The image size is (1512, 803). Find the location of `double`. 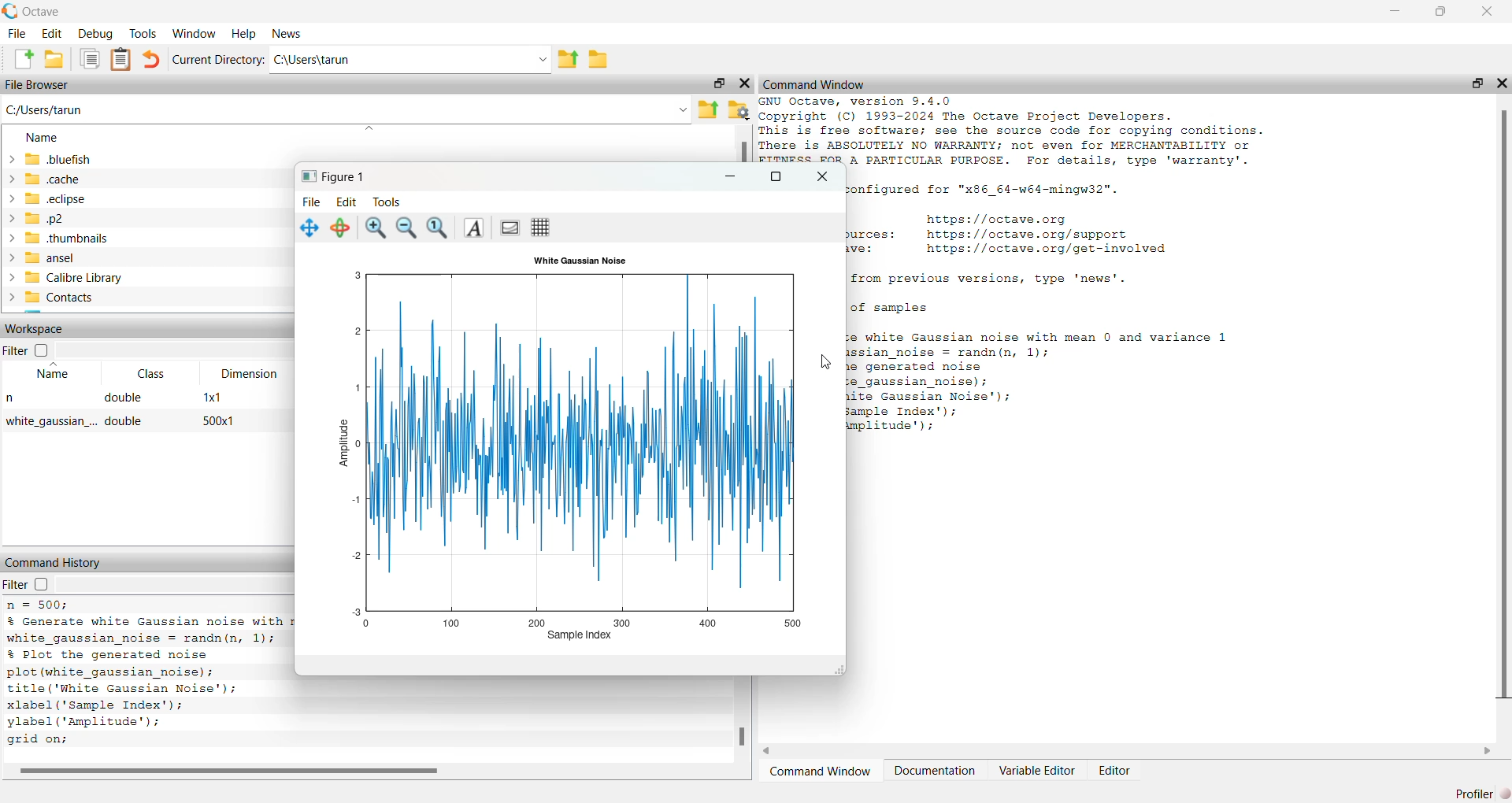

double is located at coordinates (129, 398).